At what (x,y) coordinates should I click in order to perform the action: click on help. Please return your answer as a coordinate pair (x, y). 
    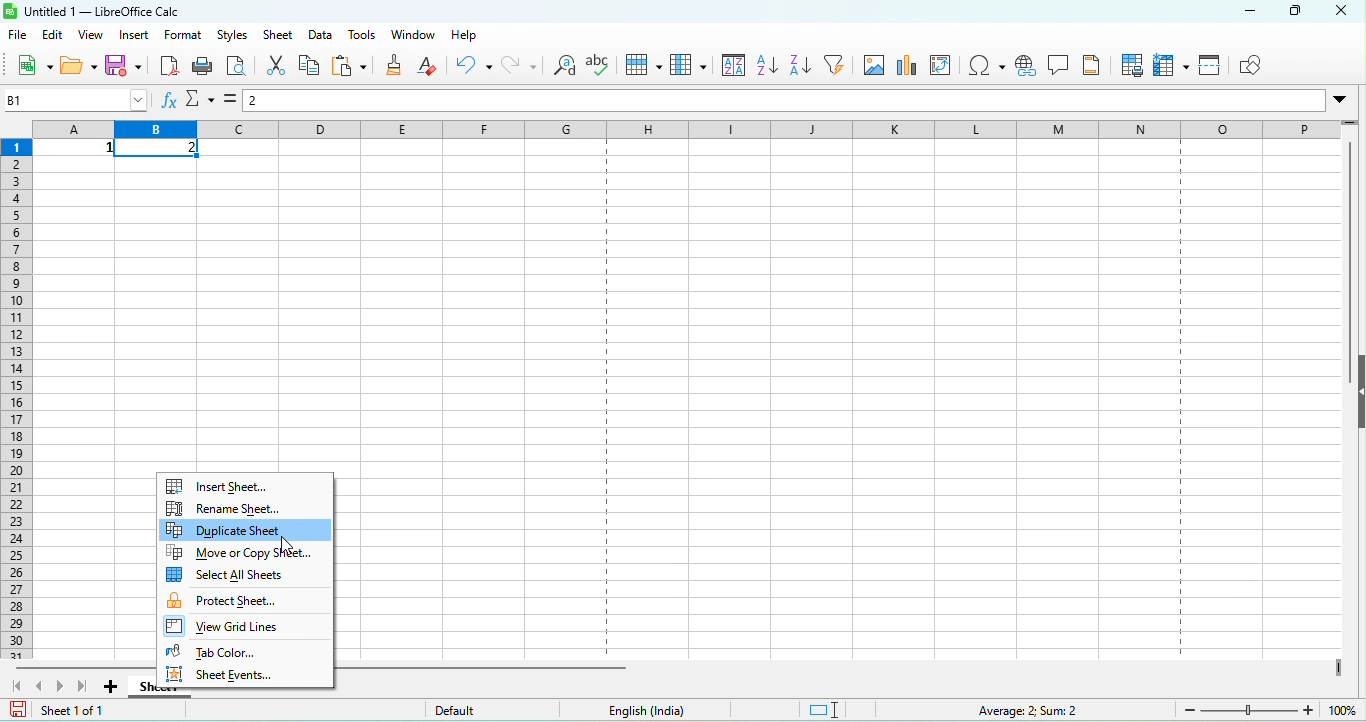
    Looking at the image, I should click on (468, 37).